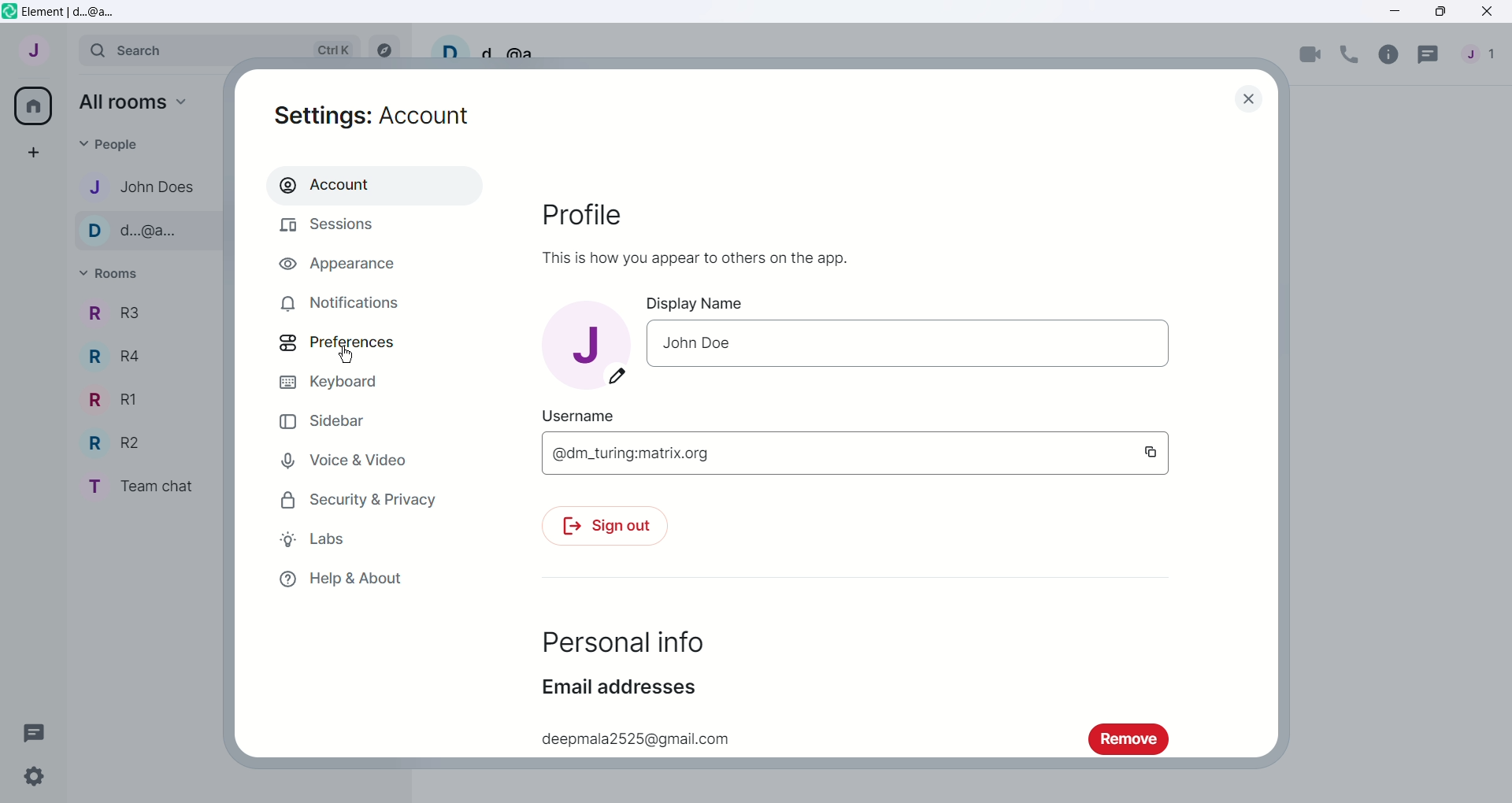 The height and width of the screenshot is (803, 1512). I want to click on Search bar, so click(219, 50).